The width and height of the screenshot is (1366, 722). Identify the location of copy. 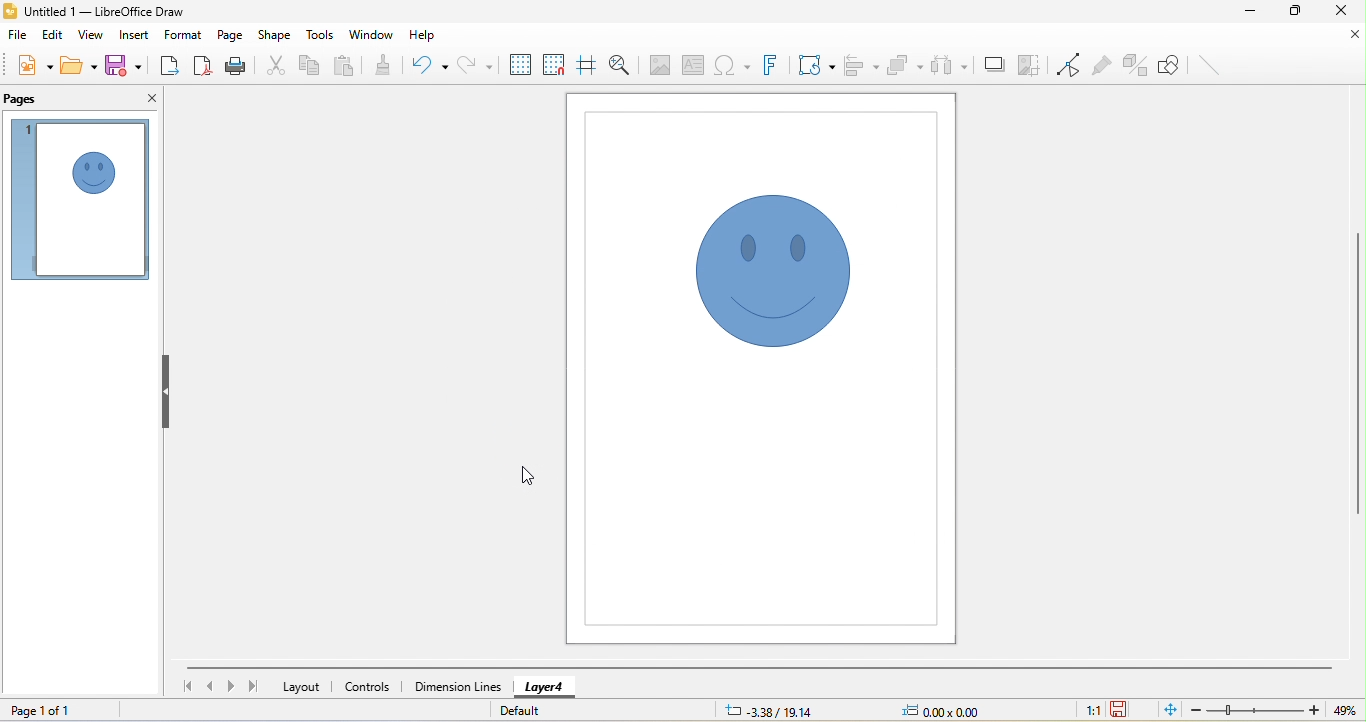
(308, 66).